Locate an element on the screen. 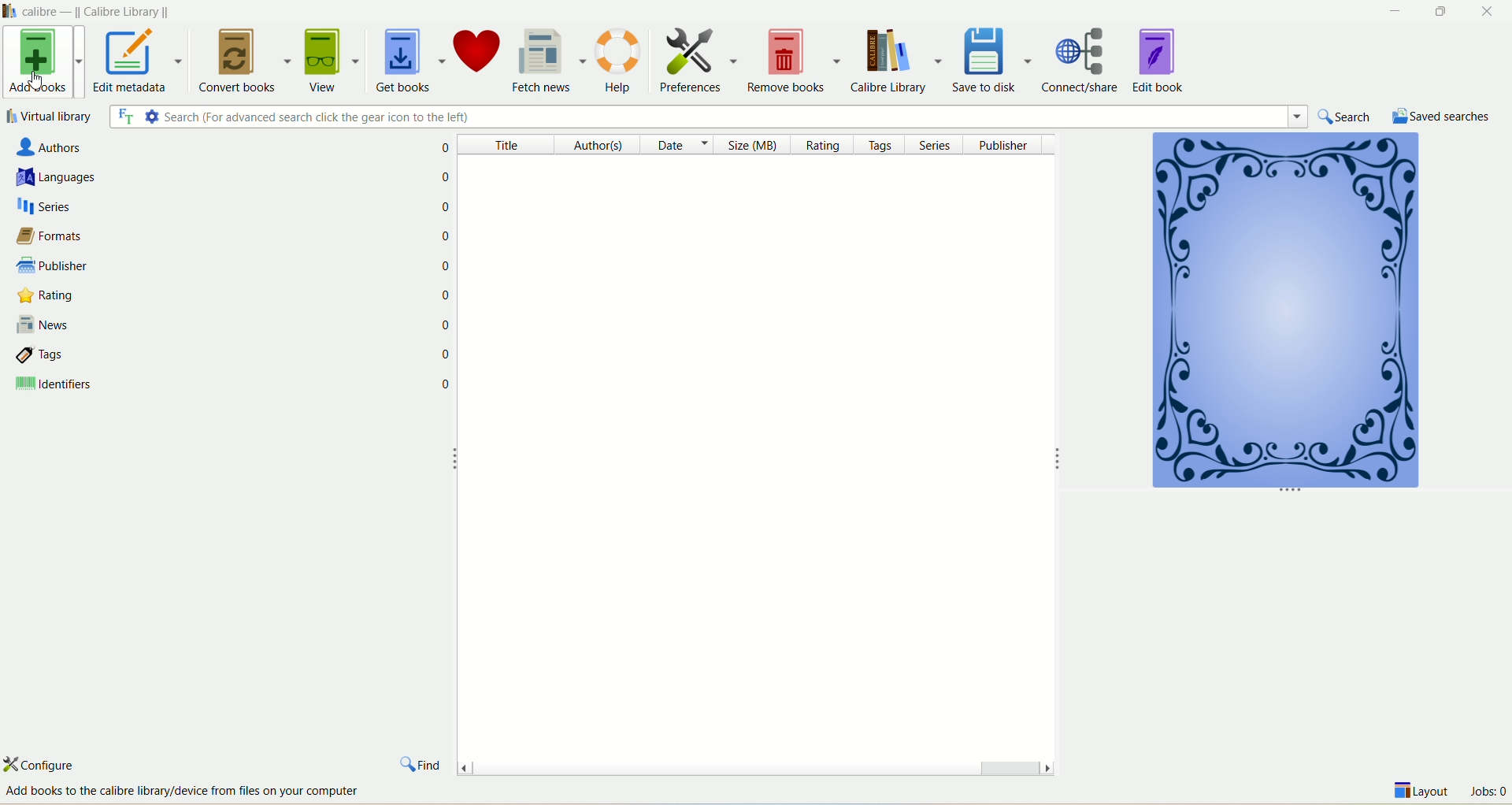  text is located at coordinates (186, 792).